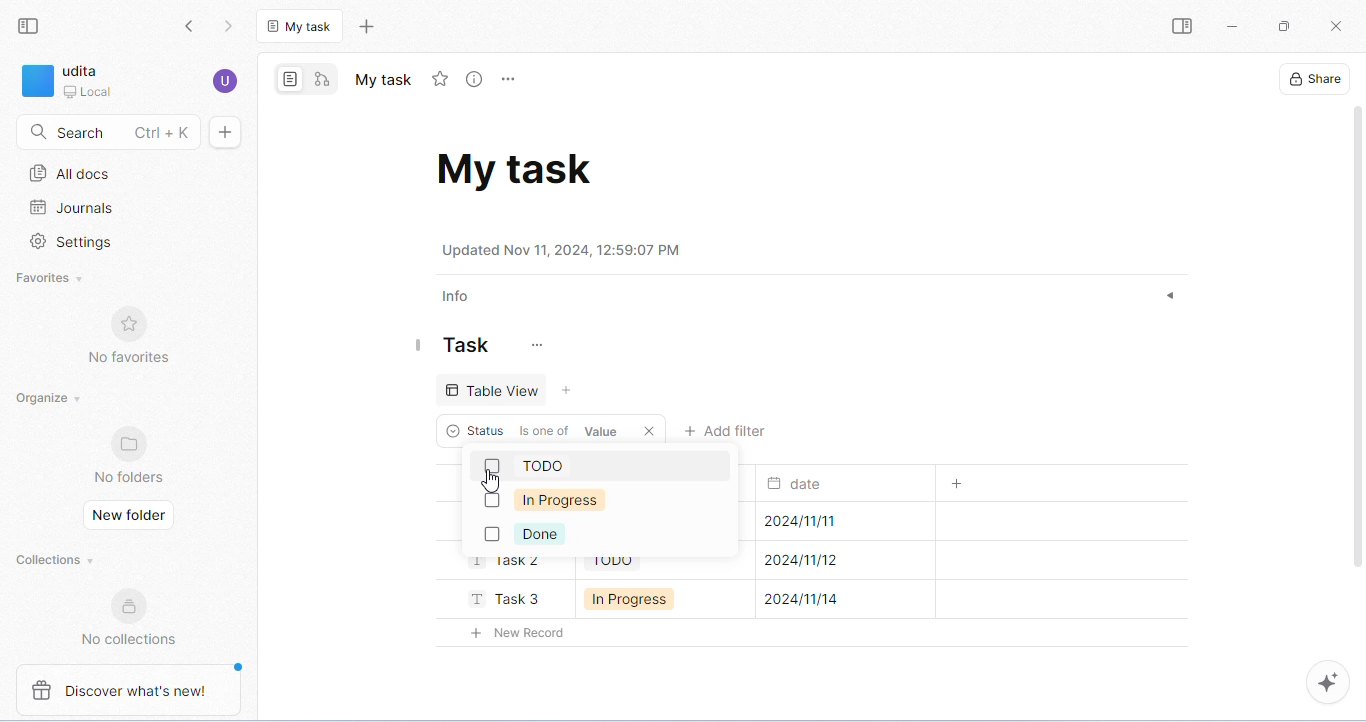 The width and height of the screenshot is (1366, 722). Describe the element at coordinates (1312, 78) in the screenshot. I see `share` at that location.